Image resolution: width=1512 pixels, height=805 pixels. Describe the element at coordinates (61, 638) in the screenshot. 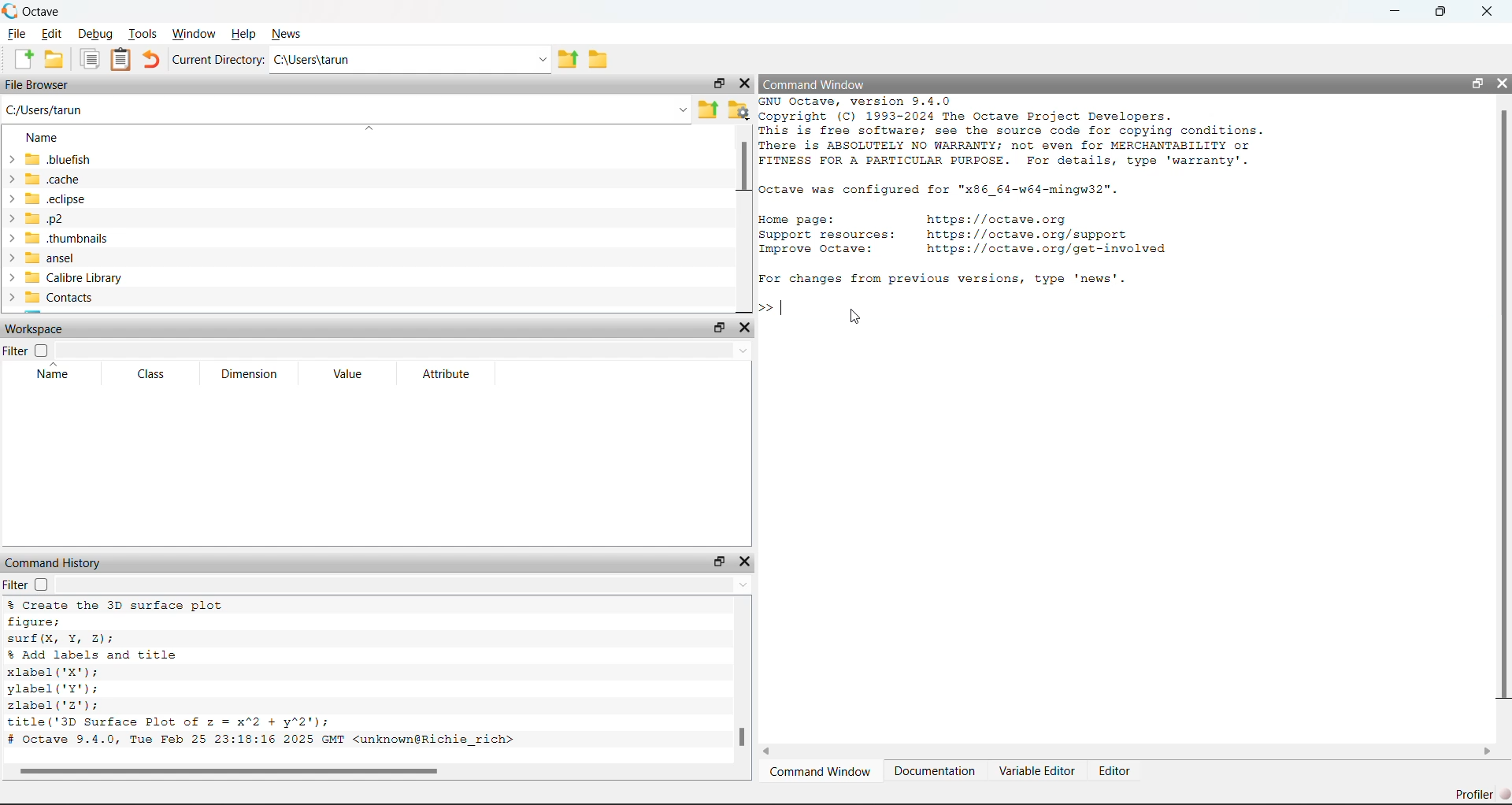

I see `surf(X, Y, 2):` at that location.